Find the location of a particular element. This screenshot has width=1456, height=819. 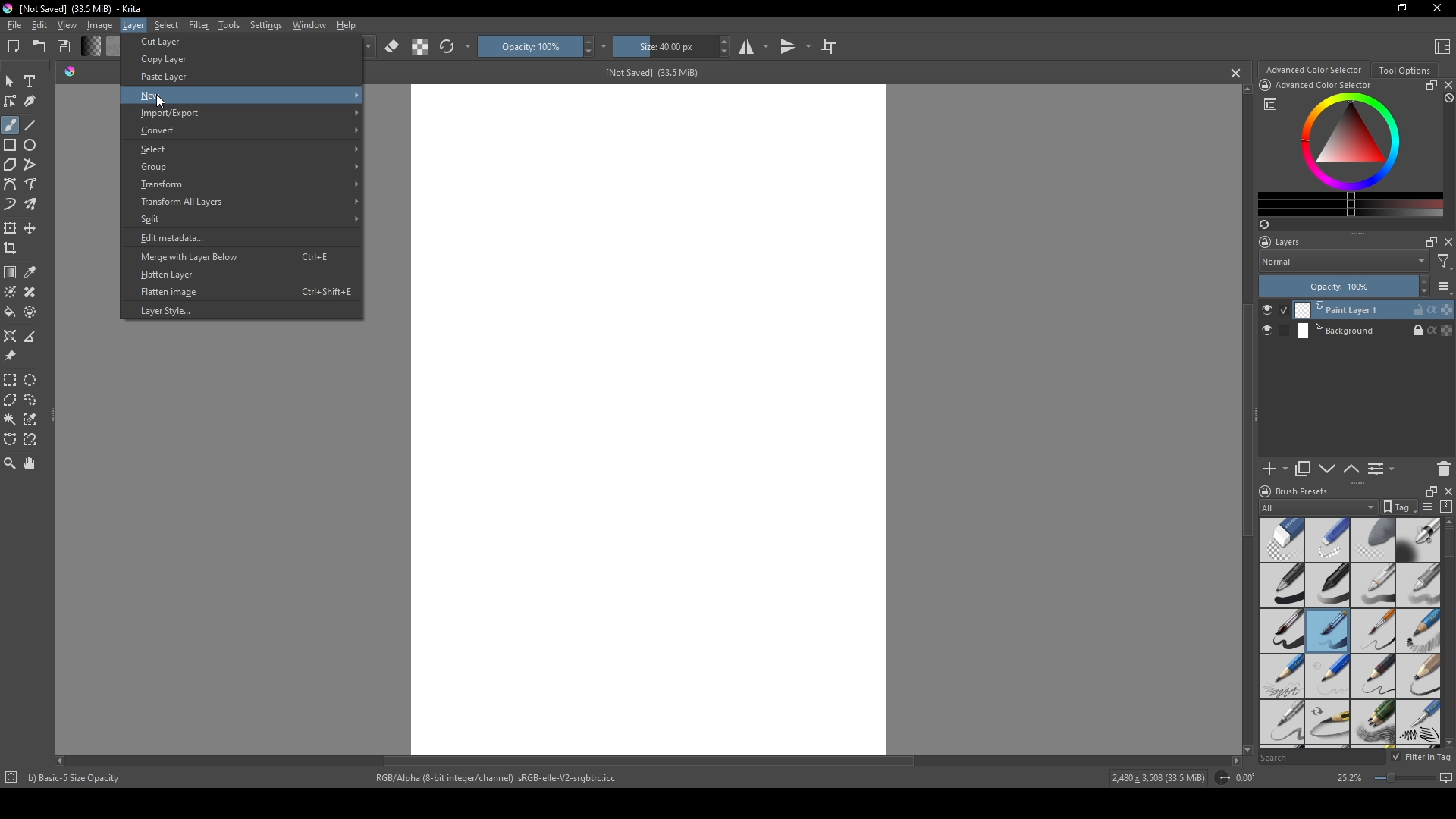

scroll down is located at coordinates (1447, 742).